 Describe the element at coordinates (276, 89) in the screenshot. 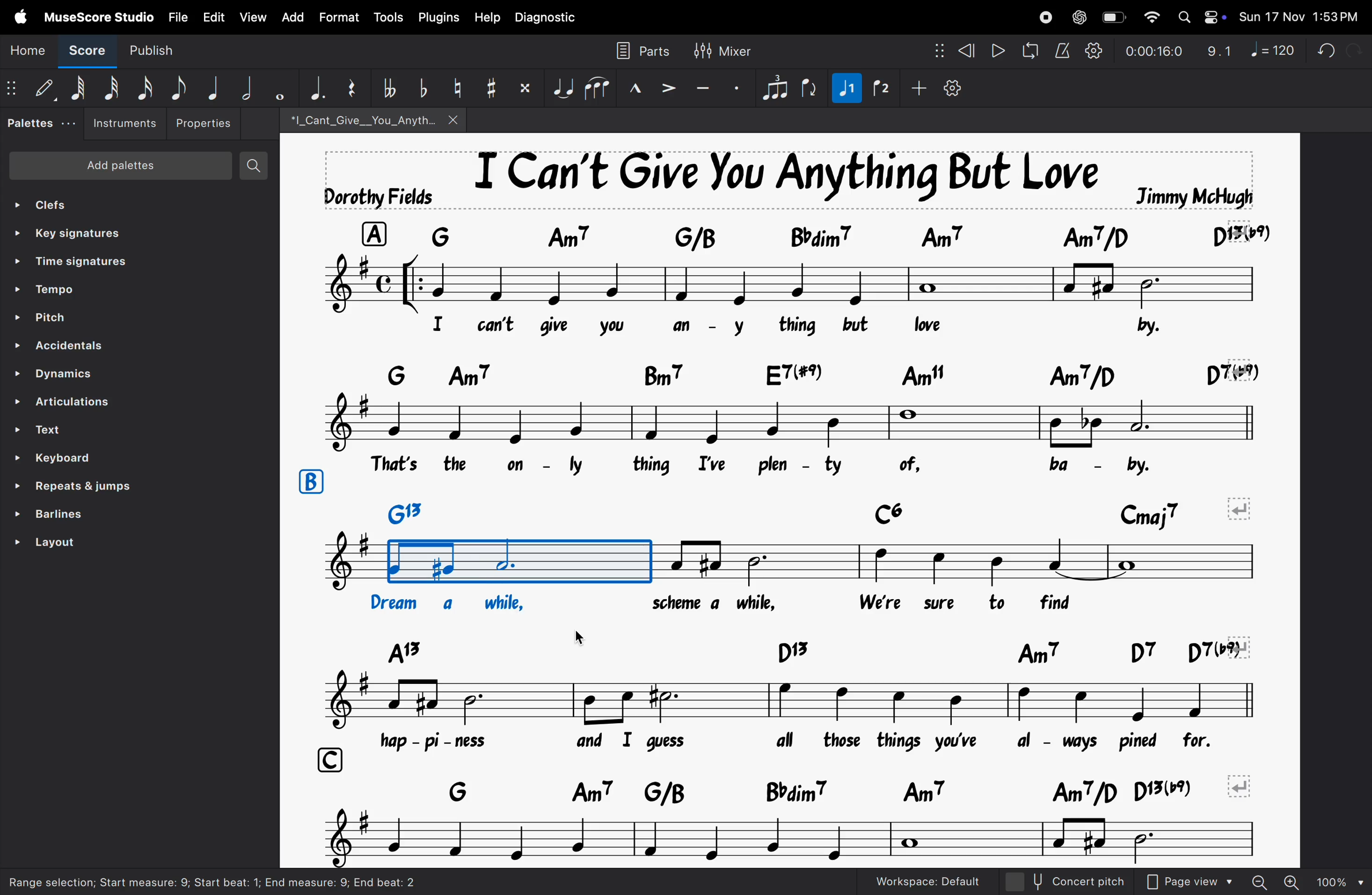

I see `whole note` at that location.